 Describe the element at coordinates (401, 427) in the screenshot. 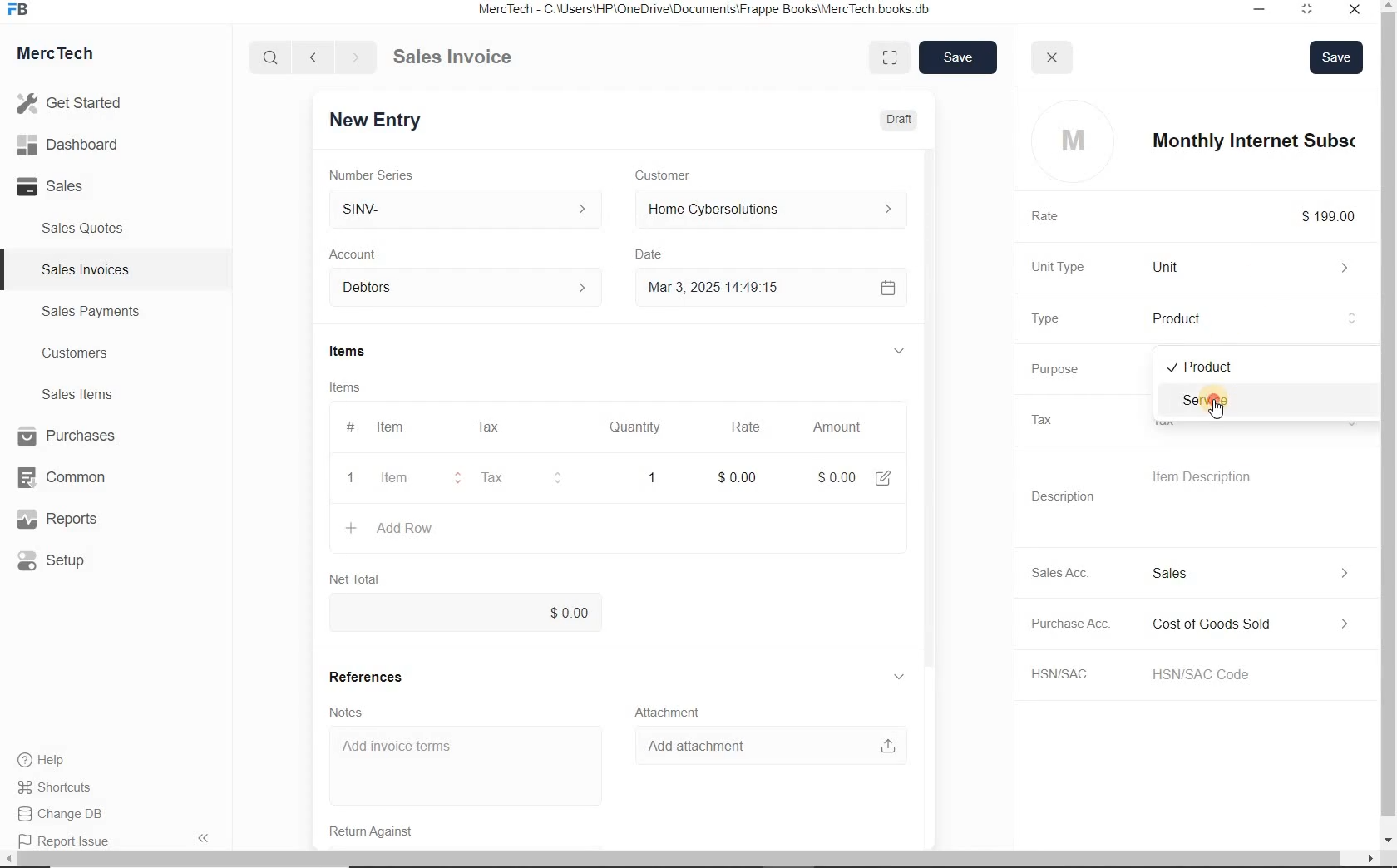

I see `Item` at that location.